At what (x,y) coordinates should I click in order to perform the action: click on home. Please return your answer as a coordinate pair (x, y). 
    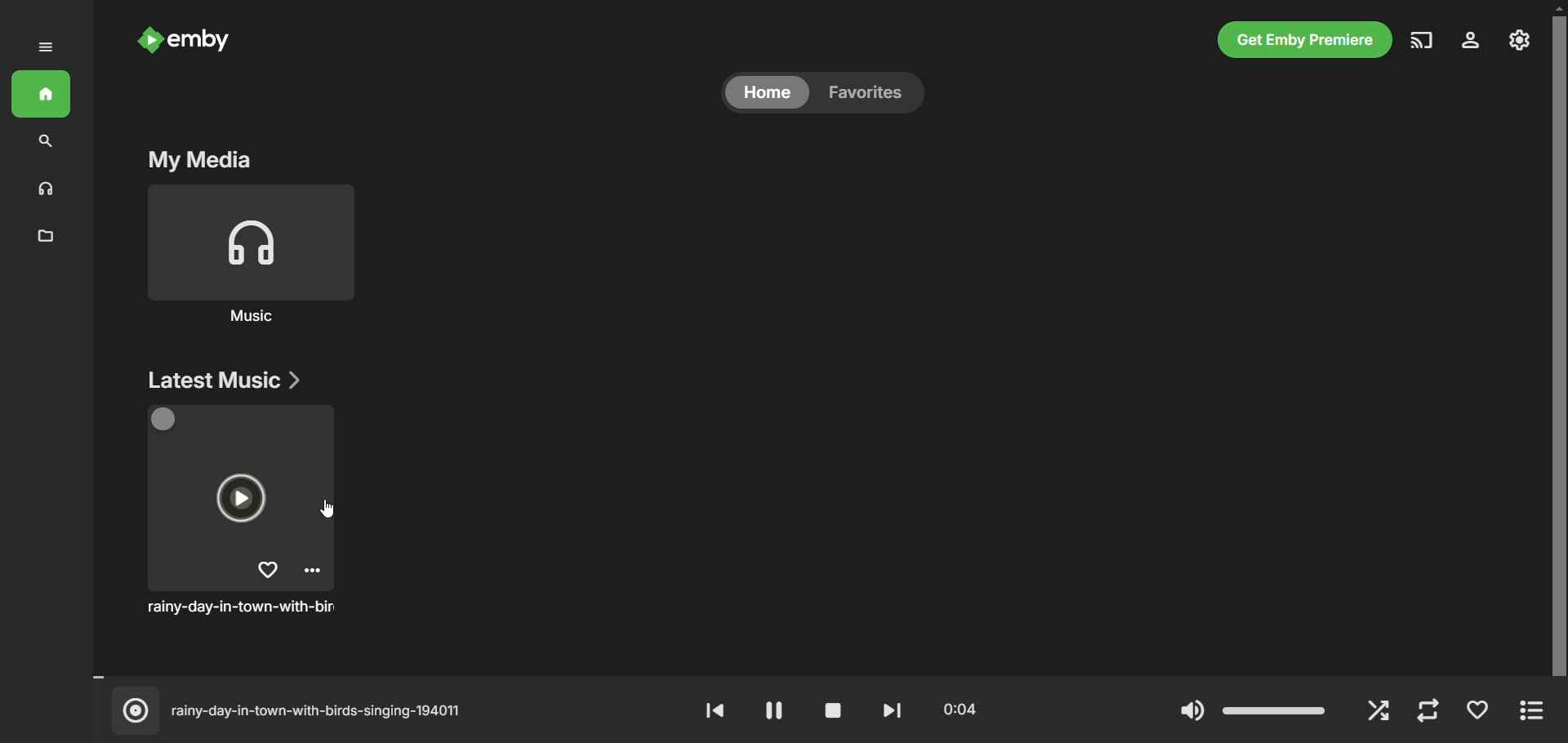
    Looking at the image, I should click on (768, 93).